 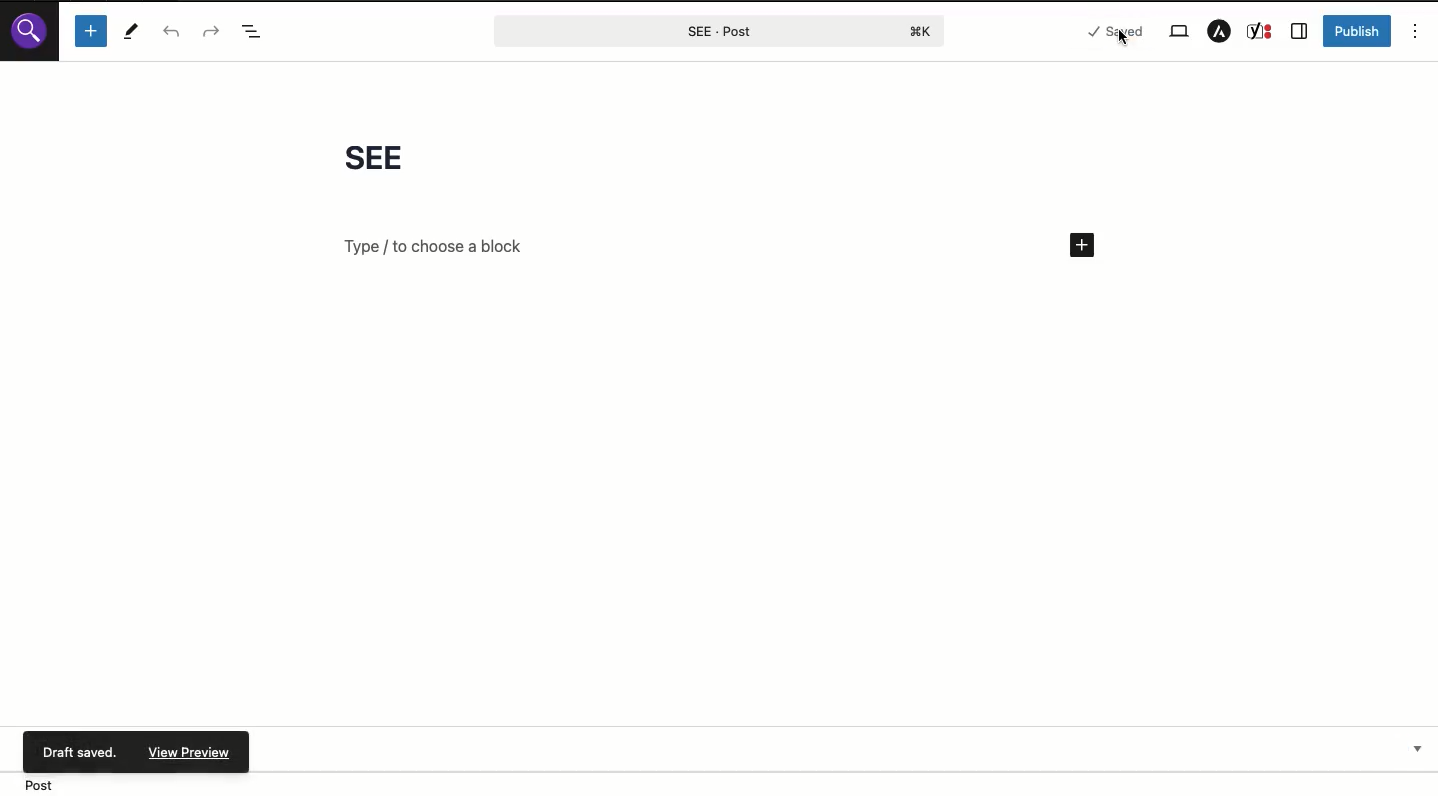 I want to click on Tools, so click(x=132, y=31).